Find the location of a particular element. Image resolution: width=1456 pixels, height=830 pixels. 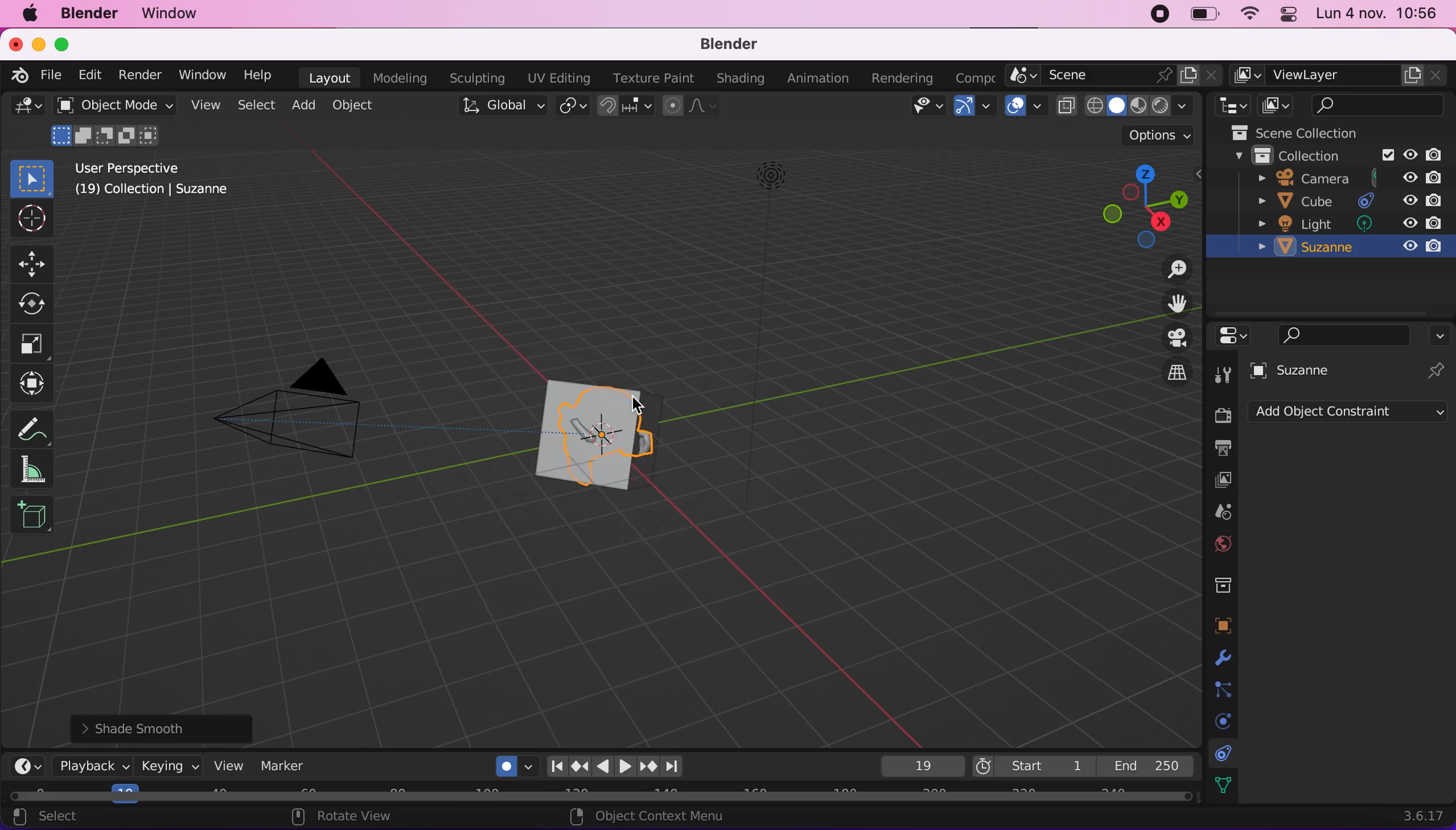

viewlayer is located at coordinates (1333, 76).